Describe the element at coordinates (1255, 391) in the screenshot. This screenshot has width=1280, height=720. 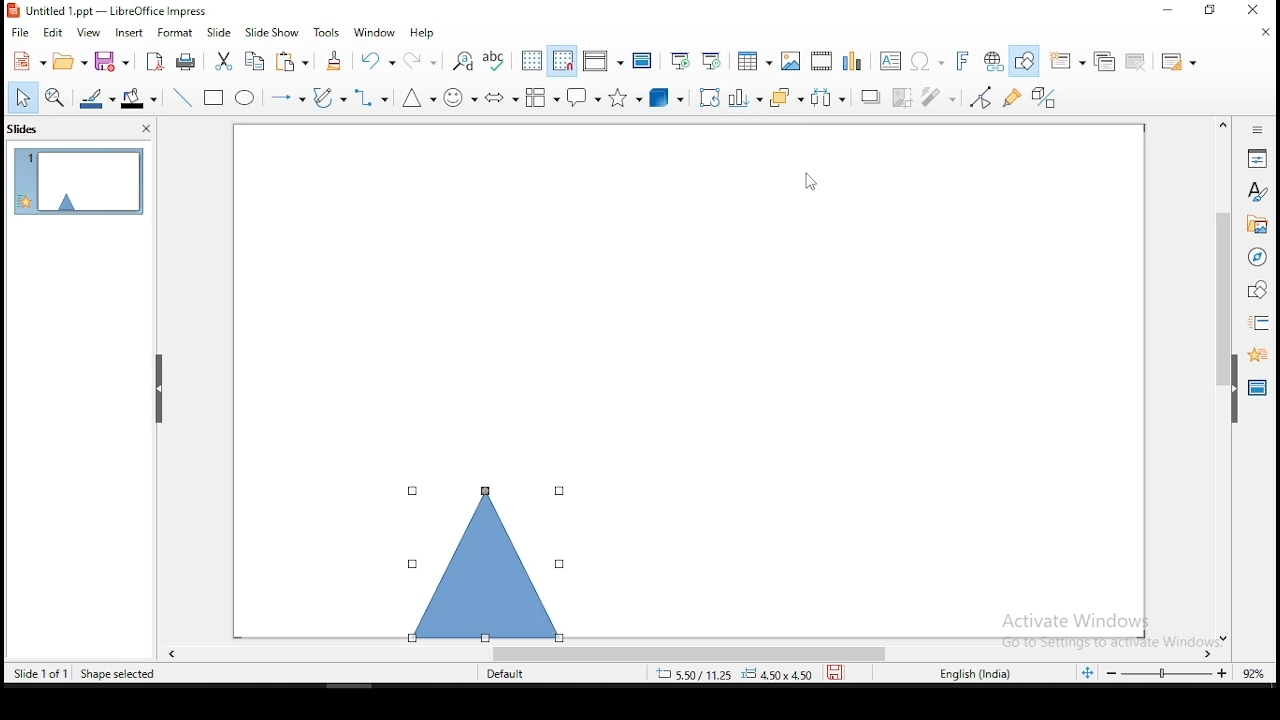
I see `master slides` at that location.